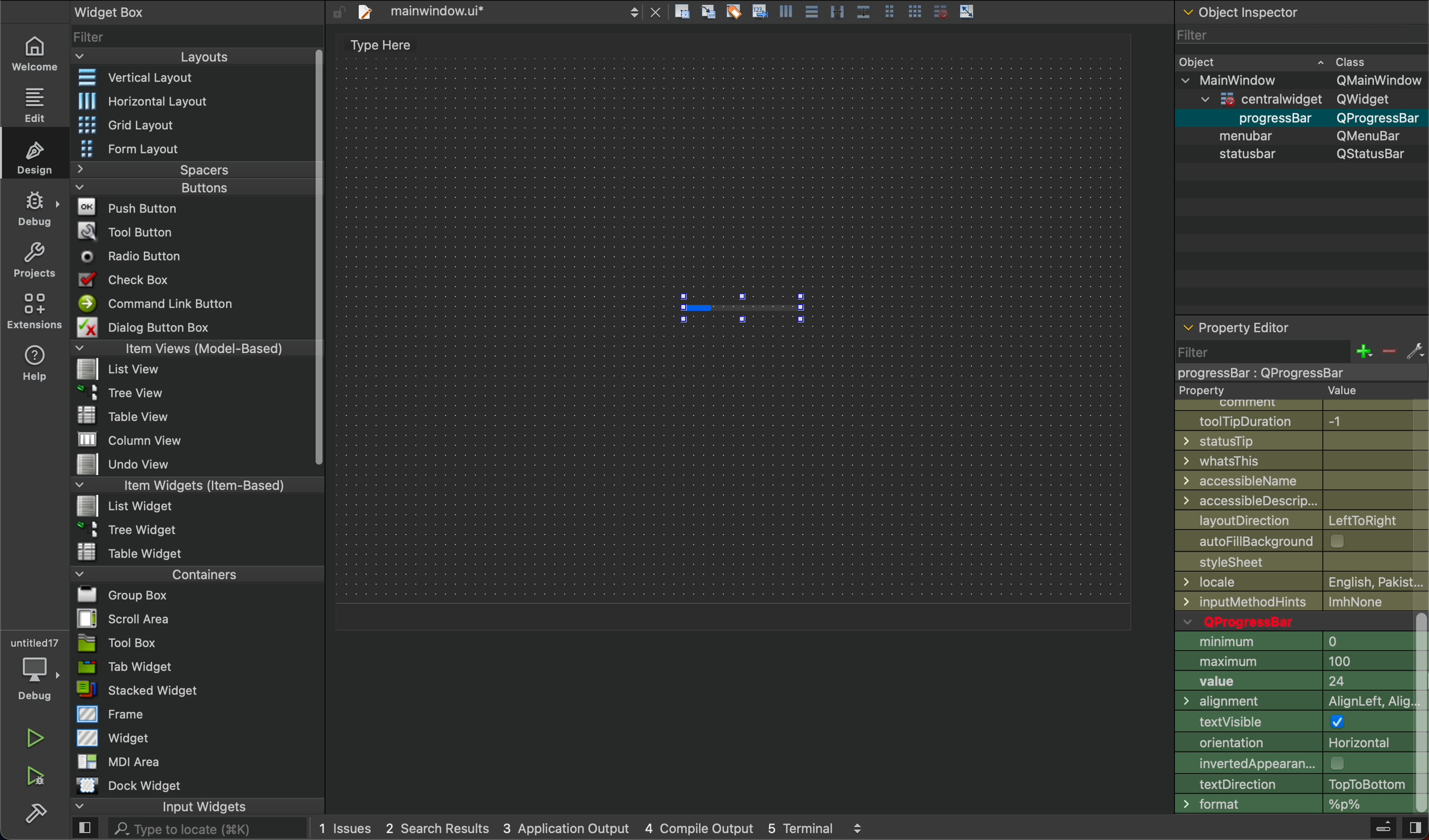 The width and height of the screenshot is (1429, 840). What do you see at coordinates (132, 206) in the screenshot?
I see `Push Button` at bounding box center [132, 206].